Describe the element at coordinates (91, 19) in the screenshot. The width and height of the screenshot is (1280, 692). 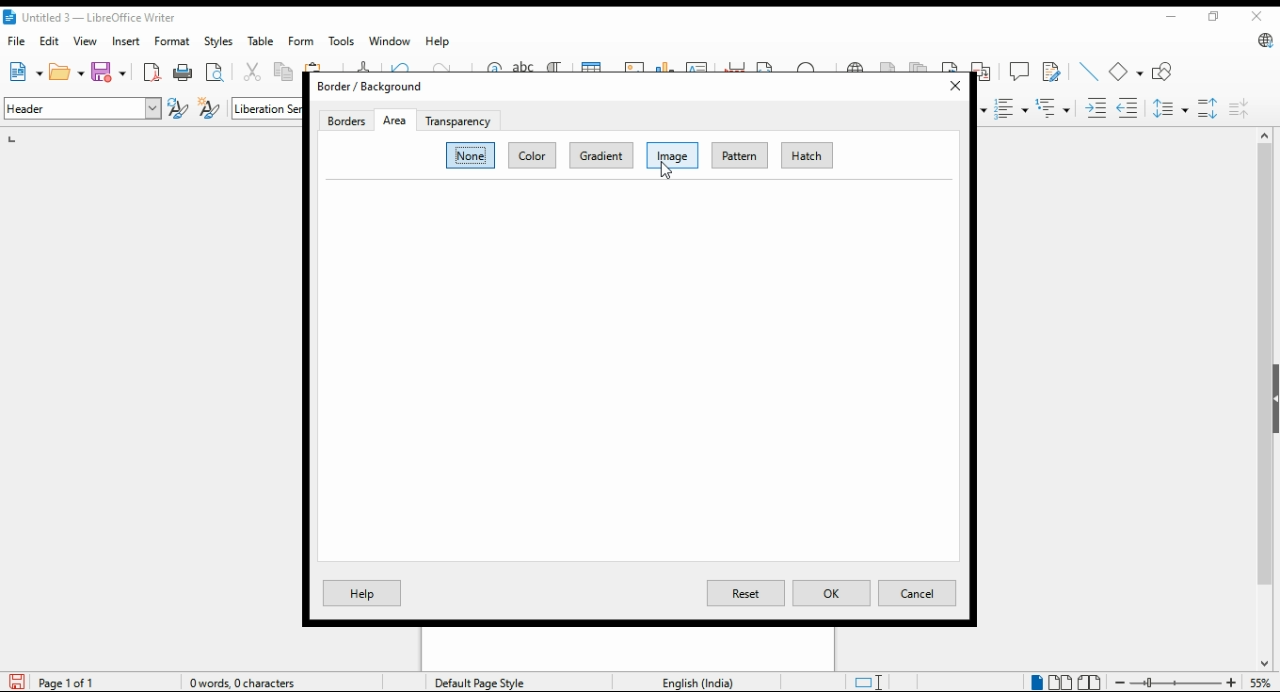
I see `icon and filename` at that location.